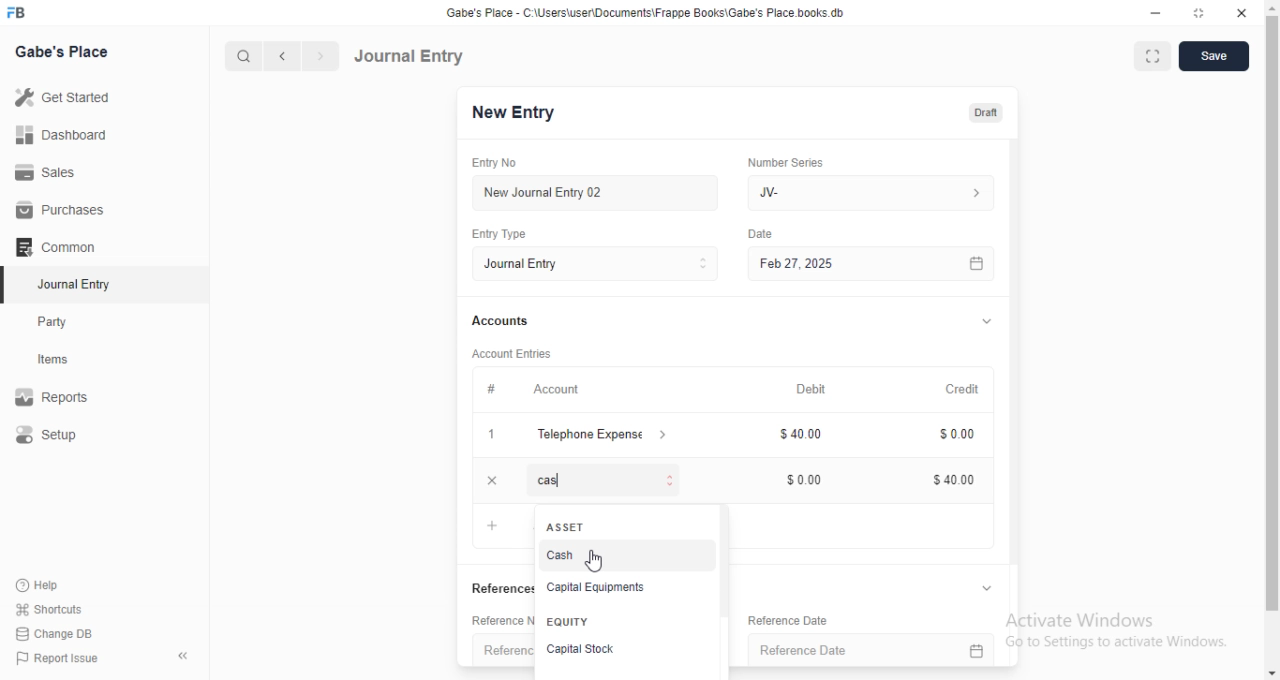 The height and width of the screenshot is (680, 1280). What do you see at coordinates (958, 436) in the screenshot?
I see `0.00` at bounding box center [958, 436].